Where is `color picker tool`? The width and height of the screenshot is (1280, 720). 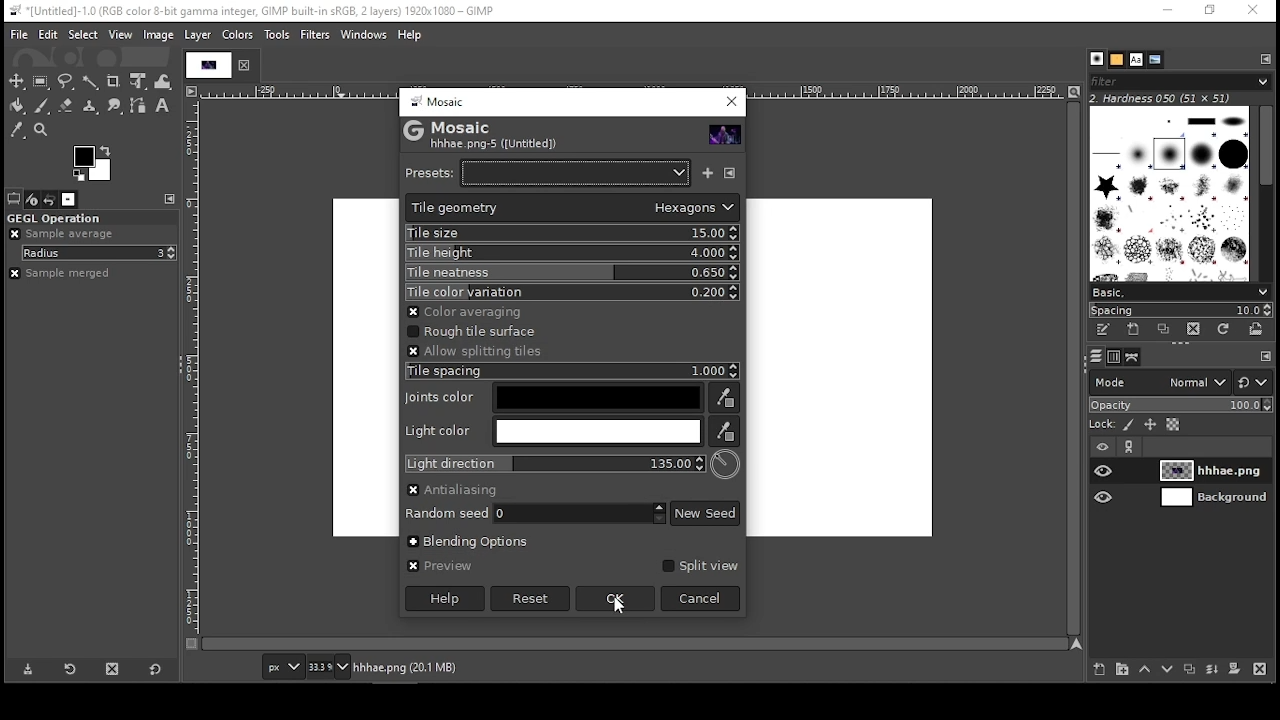 color picker tool is located at coordinates (17, 131).